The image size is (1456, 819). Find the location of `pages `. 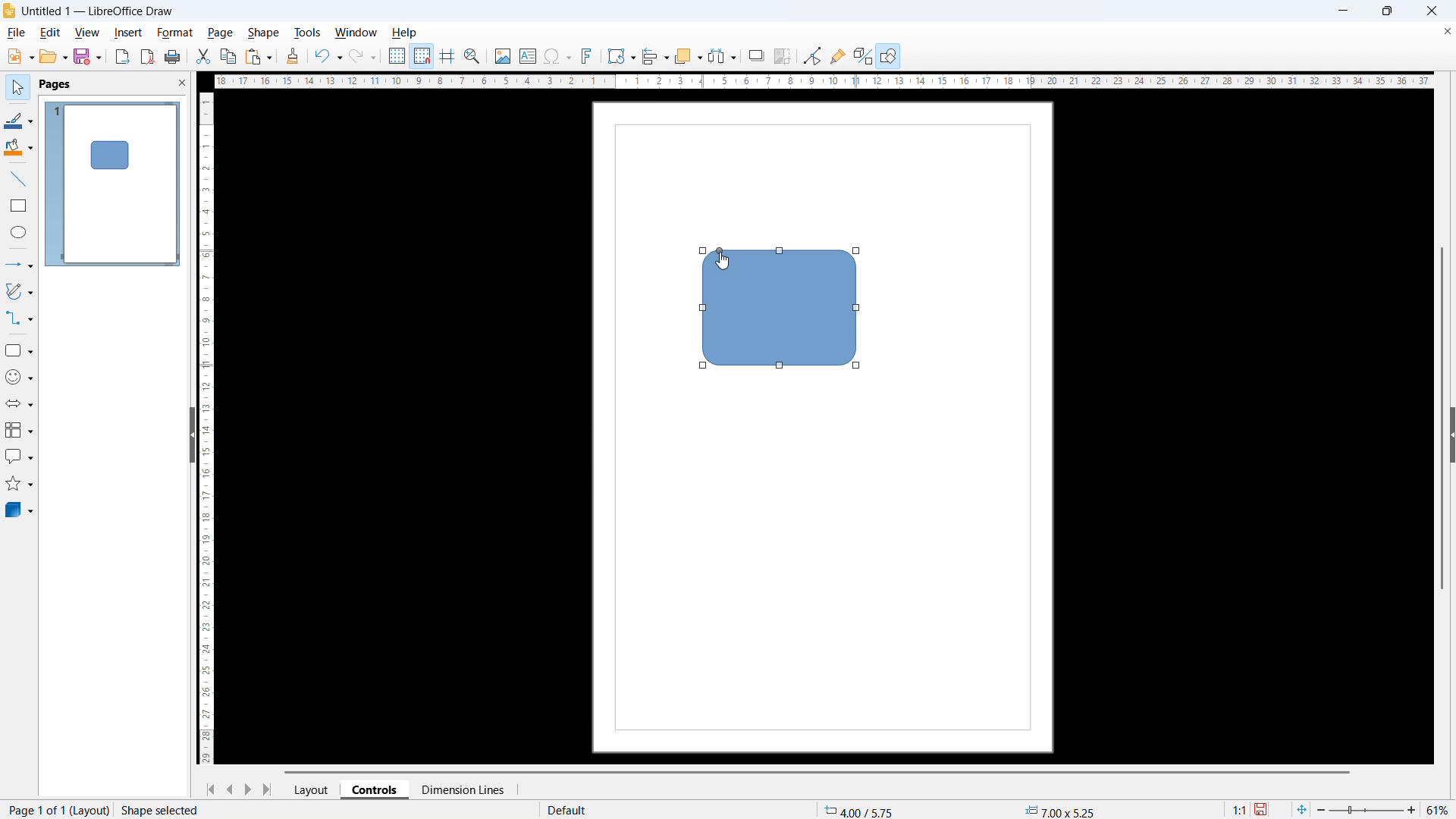

pages  is located at coordinates (54, 85).